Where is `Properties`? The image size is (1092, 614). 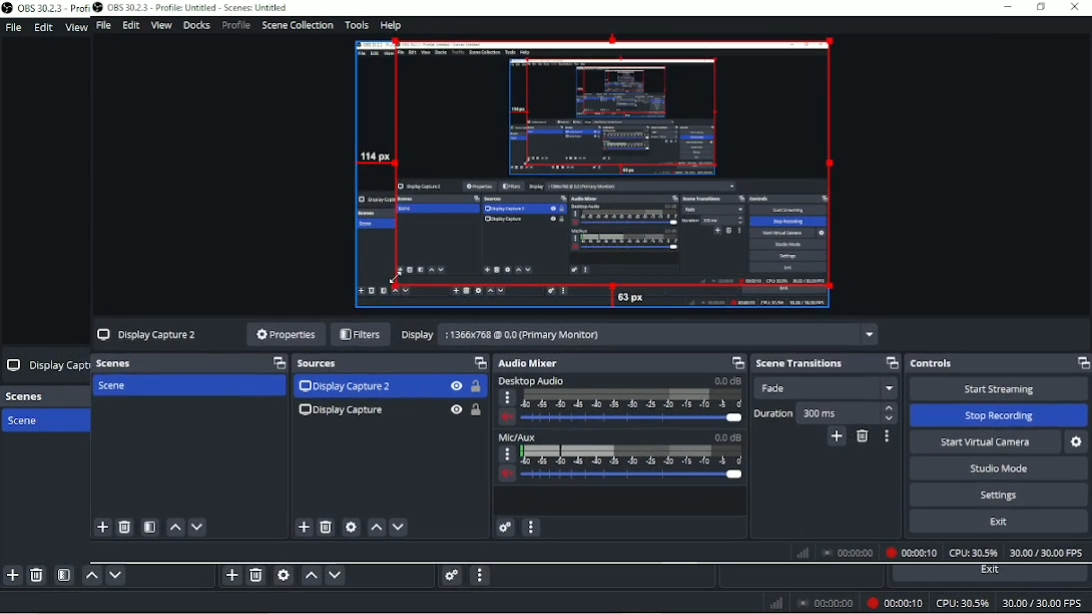
Properties is located at coordinates (285, 332).